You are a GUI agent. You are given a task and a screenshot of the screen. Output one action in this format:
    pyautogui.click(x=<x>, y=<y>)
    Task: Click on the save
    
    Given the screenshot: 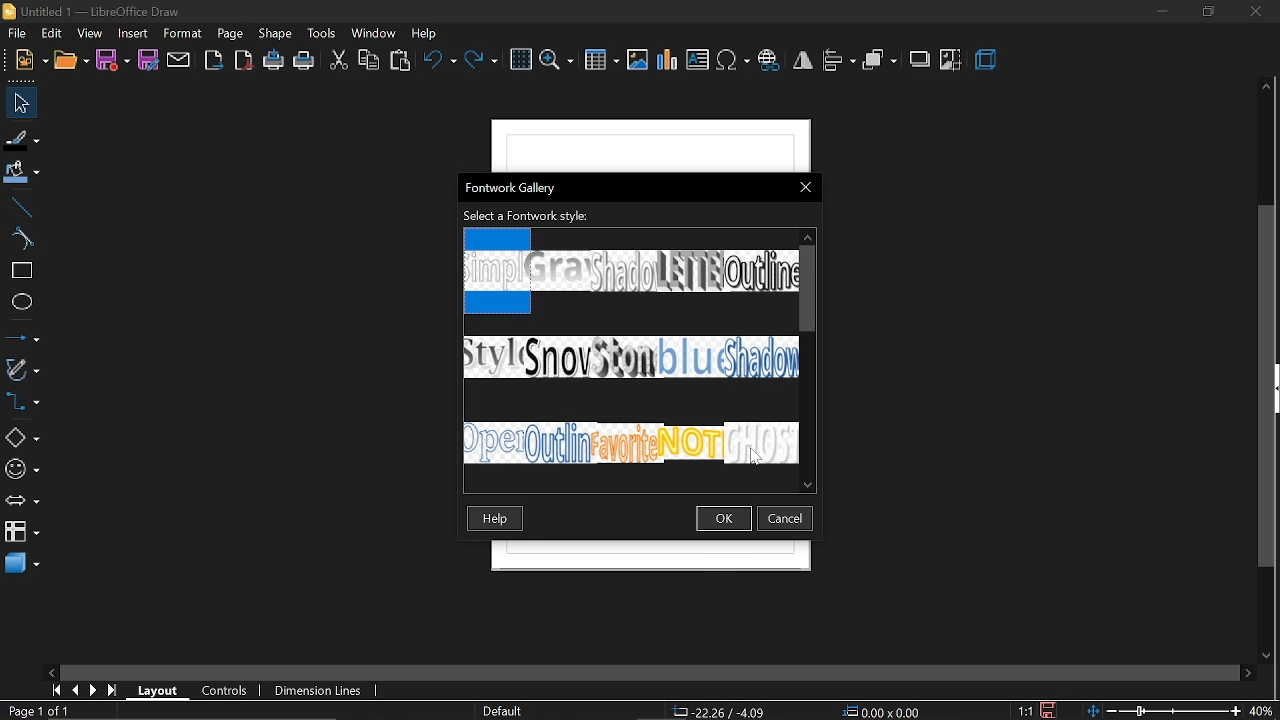 What is the action you would take?
    pyautogui.click(x=1050, y=709)
    